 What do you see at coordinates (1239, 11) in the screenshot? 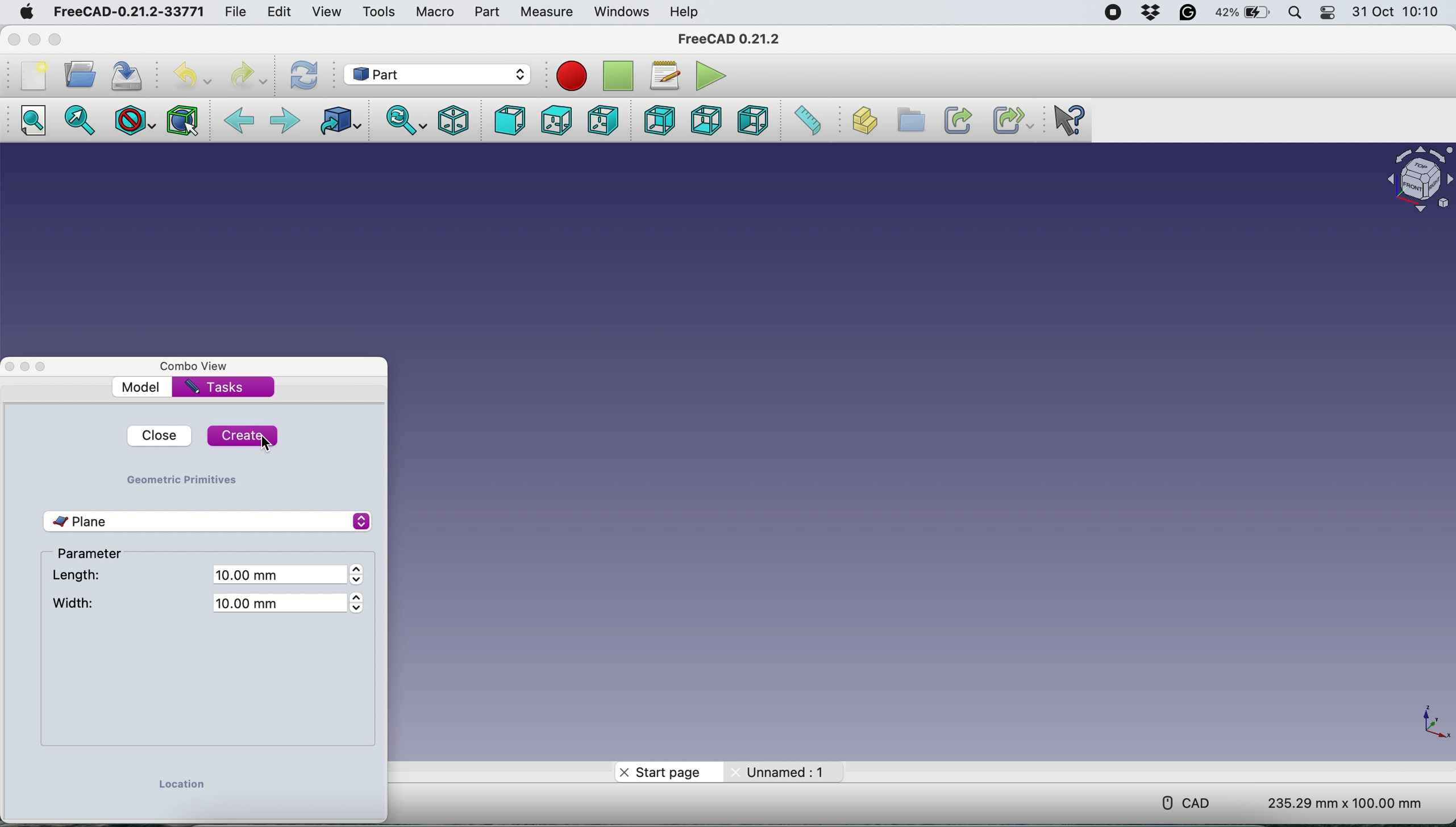
I see `Battery` at bounding box center [1239, 11].